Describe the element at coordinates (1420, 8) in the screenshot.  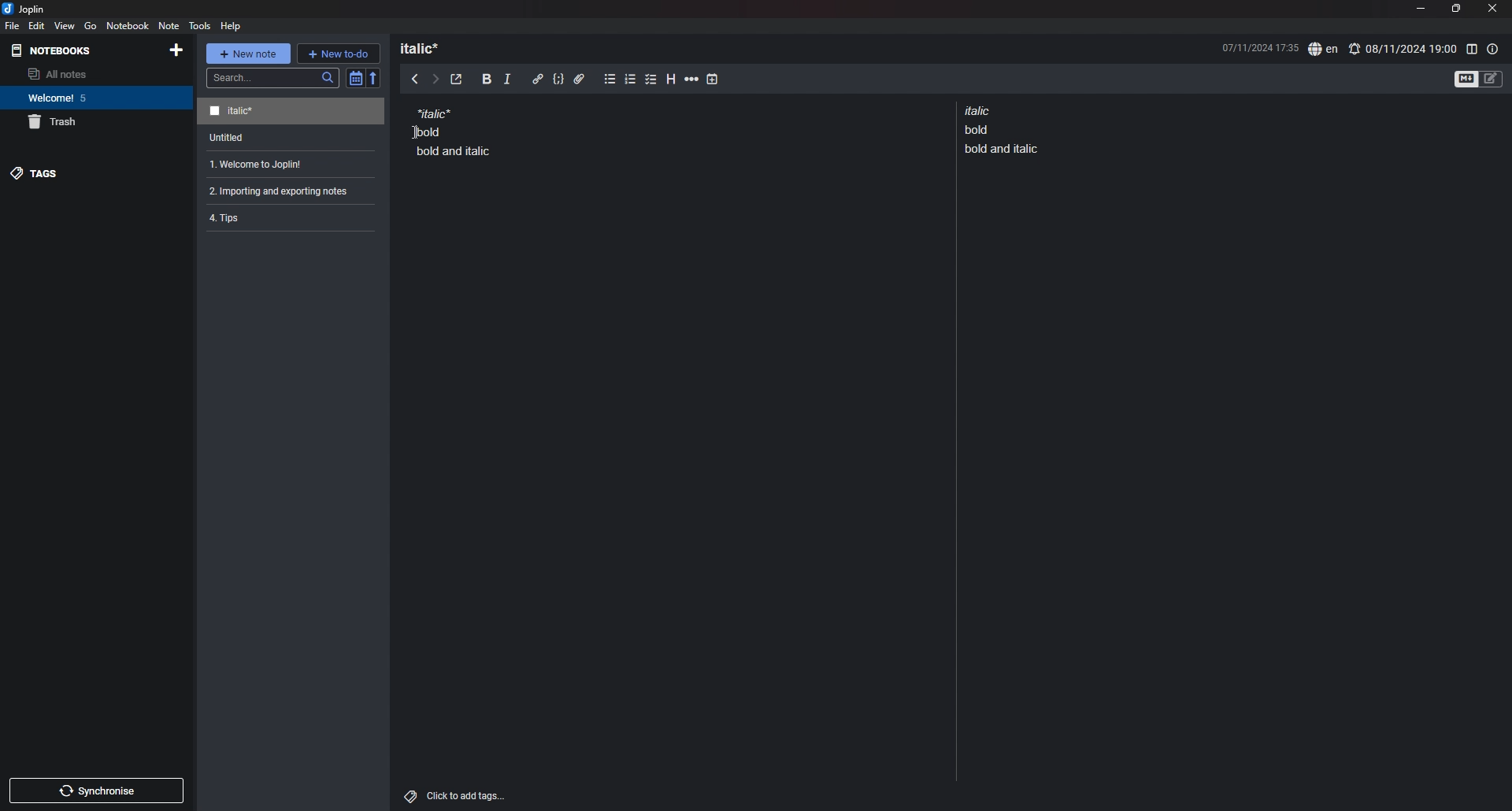
I see `minimize` at that location.